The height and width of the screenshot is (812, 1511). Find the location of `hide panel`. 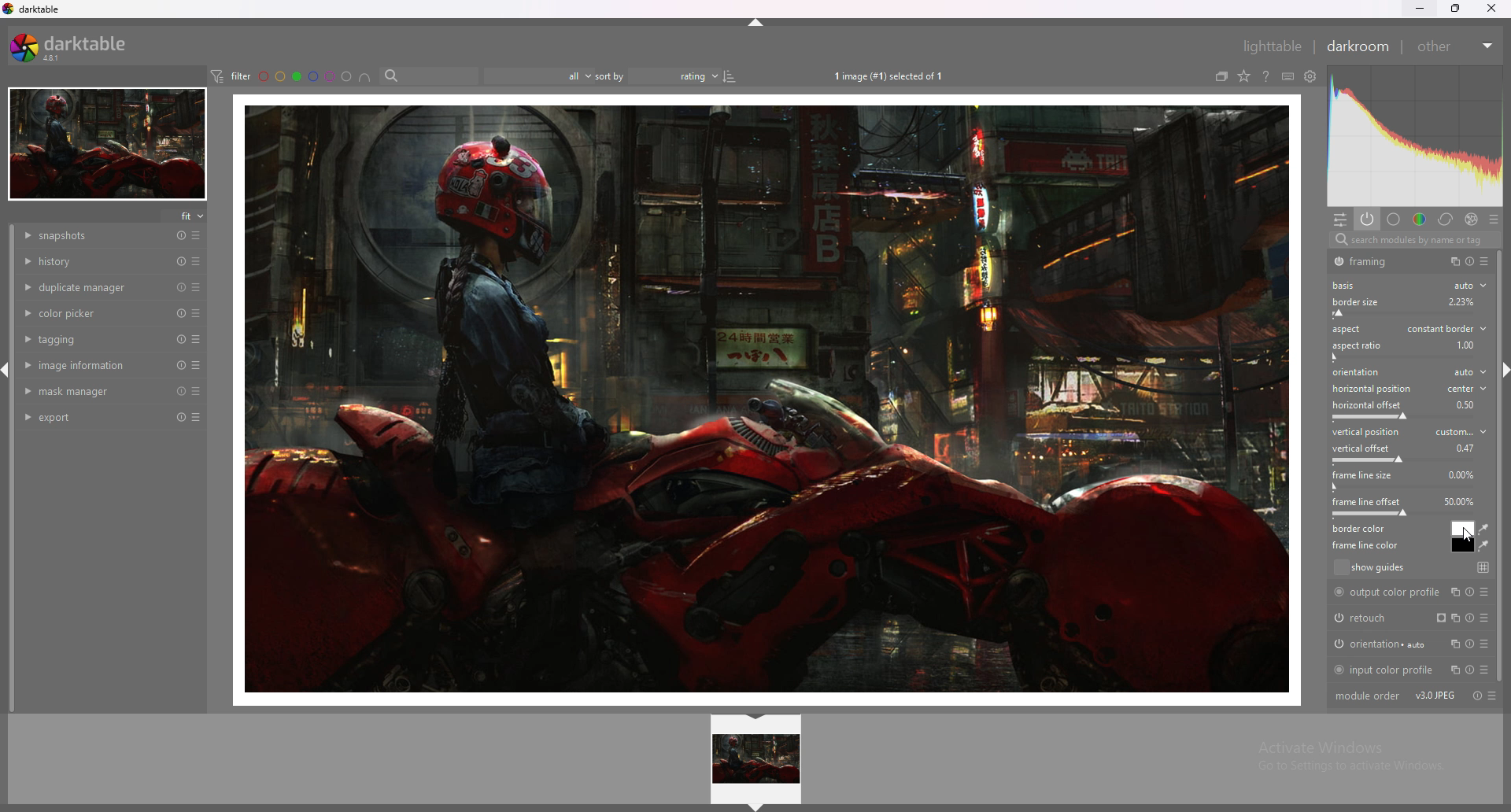

hide panel is located at coordinates (758, 25).